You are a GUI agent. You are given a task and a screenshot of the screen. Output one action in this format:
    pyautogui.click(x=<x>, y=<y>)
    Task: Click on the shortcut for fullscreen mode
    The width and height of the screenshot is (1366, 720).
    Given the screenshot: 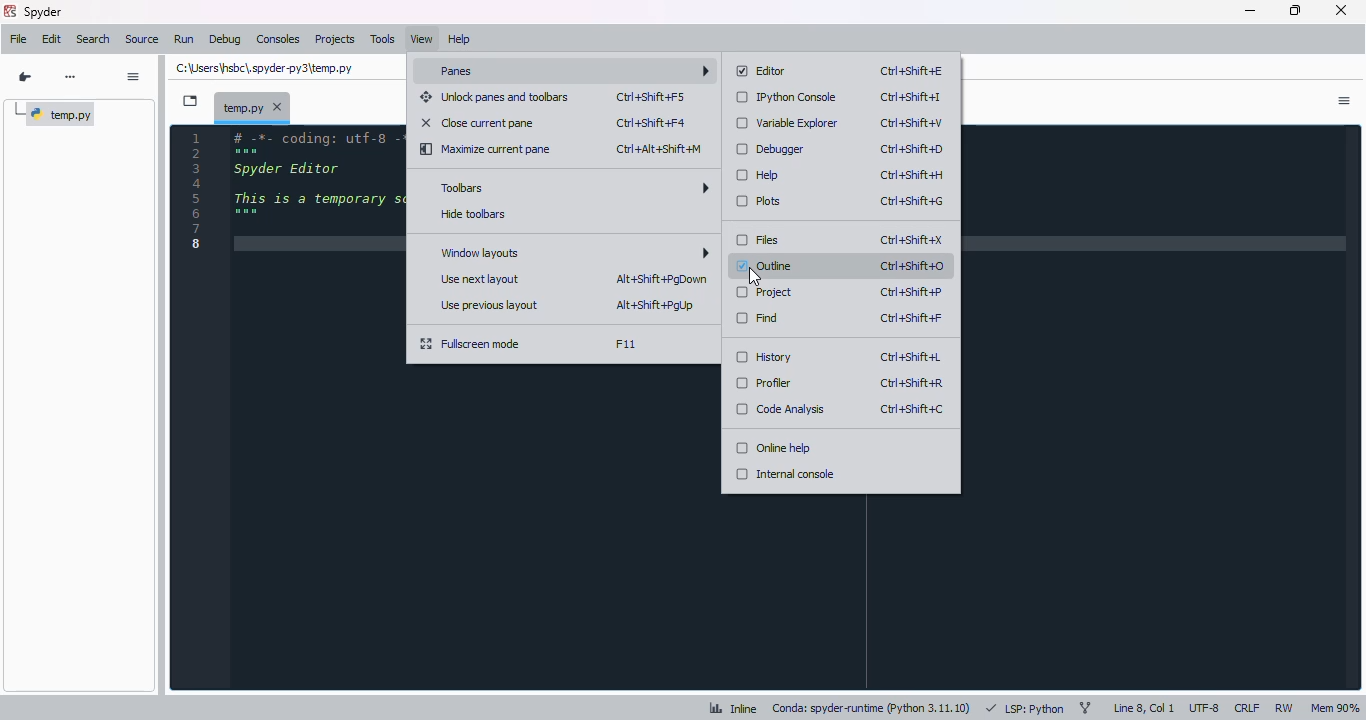 What is the action you would take?
    pyautogui.click(x=625, y=344)
    